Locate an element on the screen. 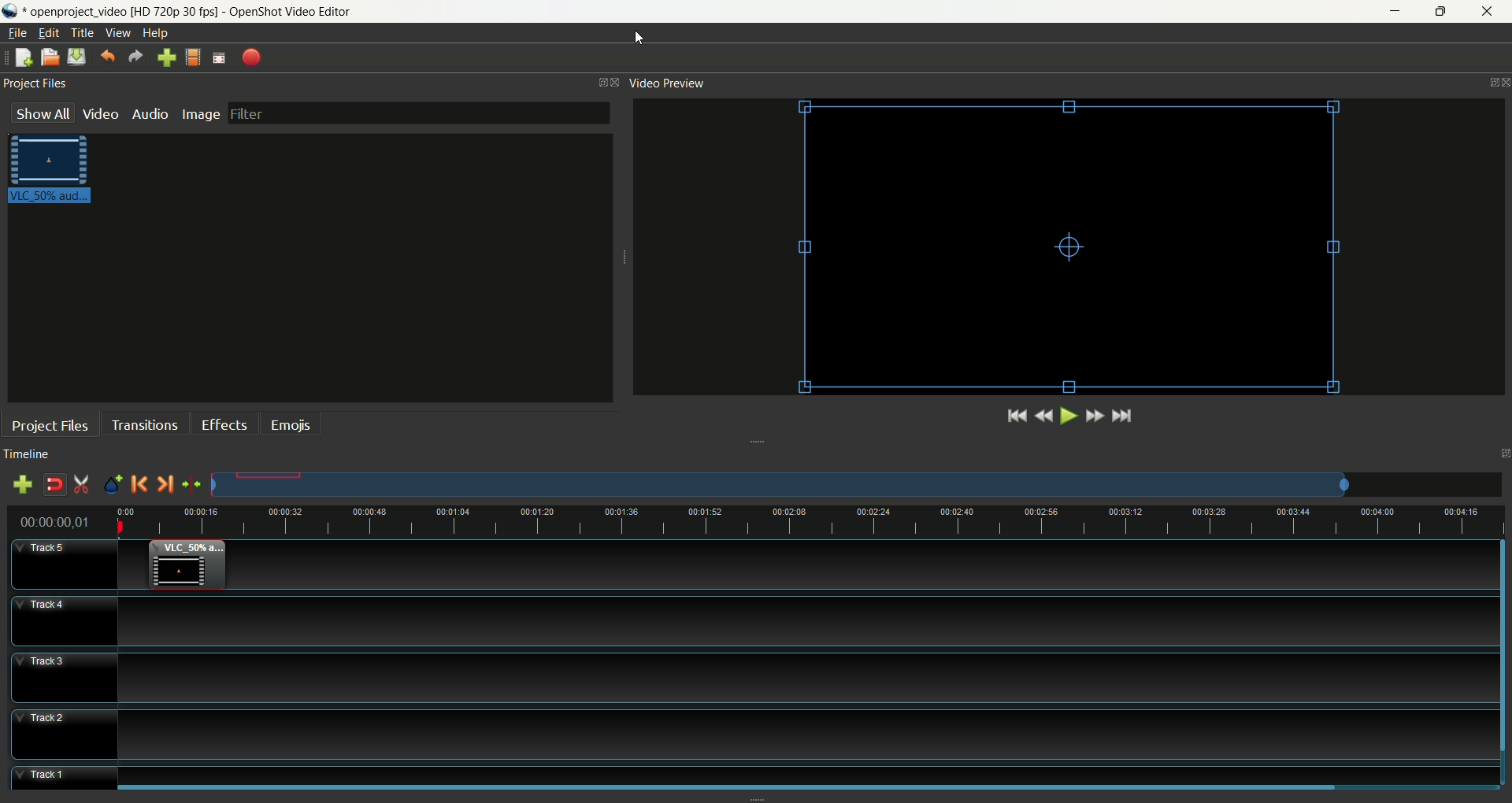 The width and height of the screenshot is (1512, 803). video is located at coordinates (1067, 247).